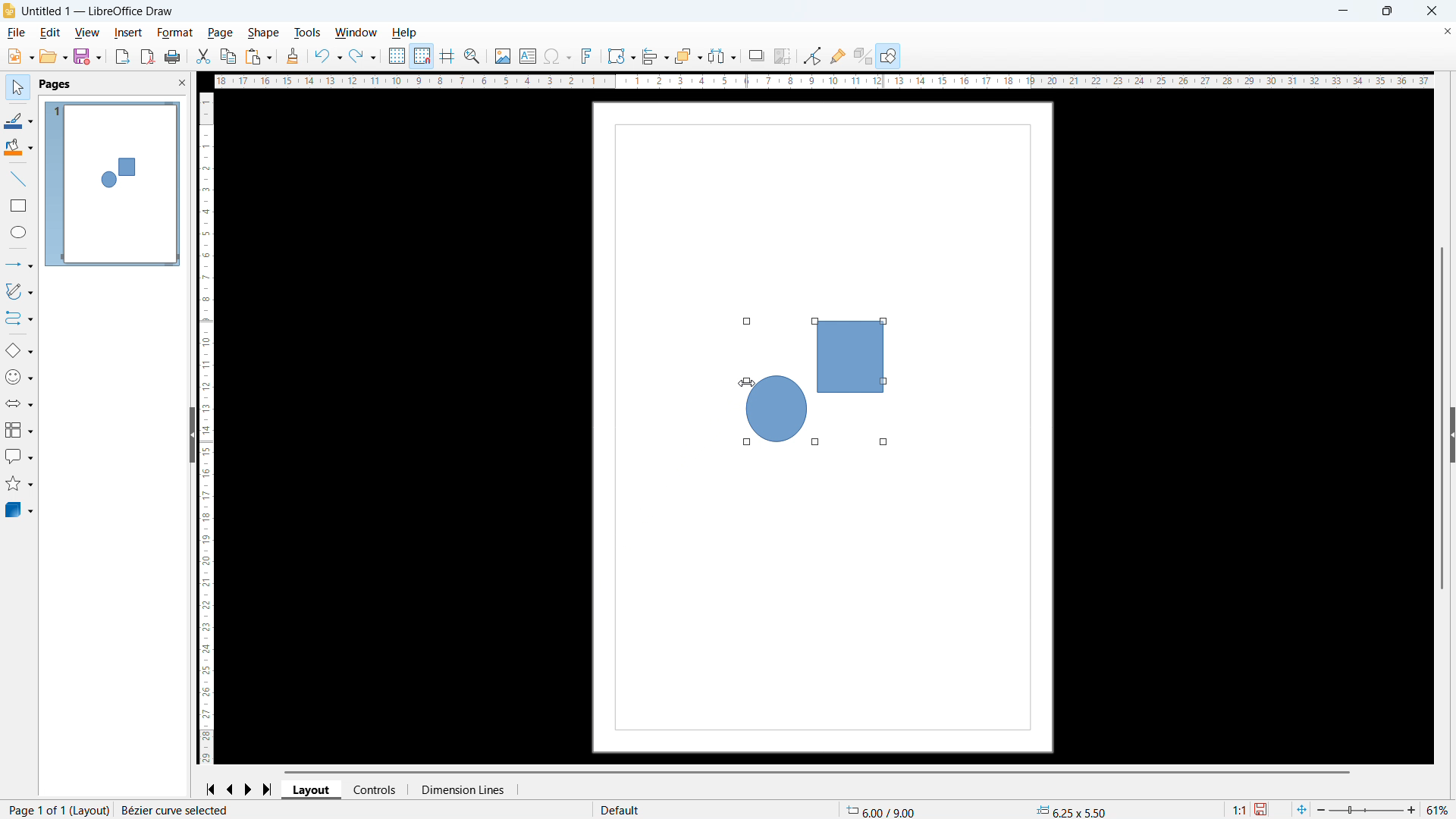  Describe the element at coordinates (86, 33) in the screenshot. I see `View ` at that location.